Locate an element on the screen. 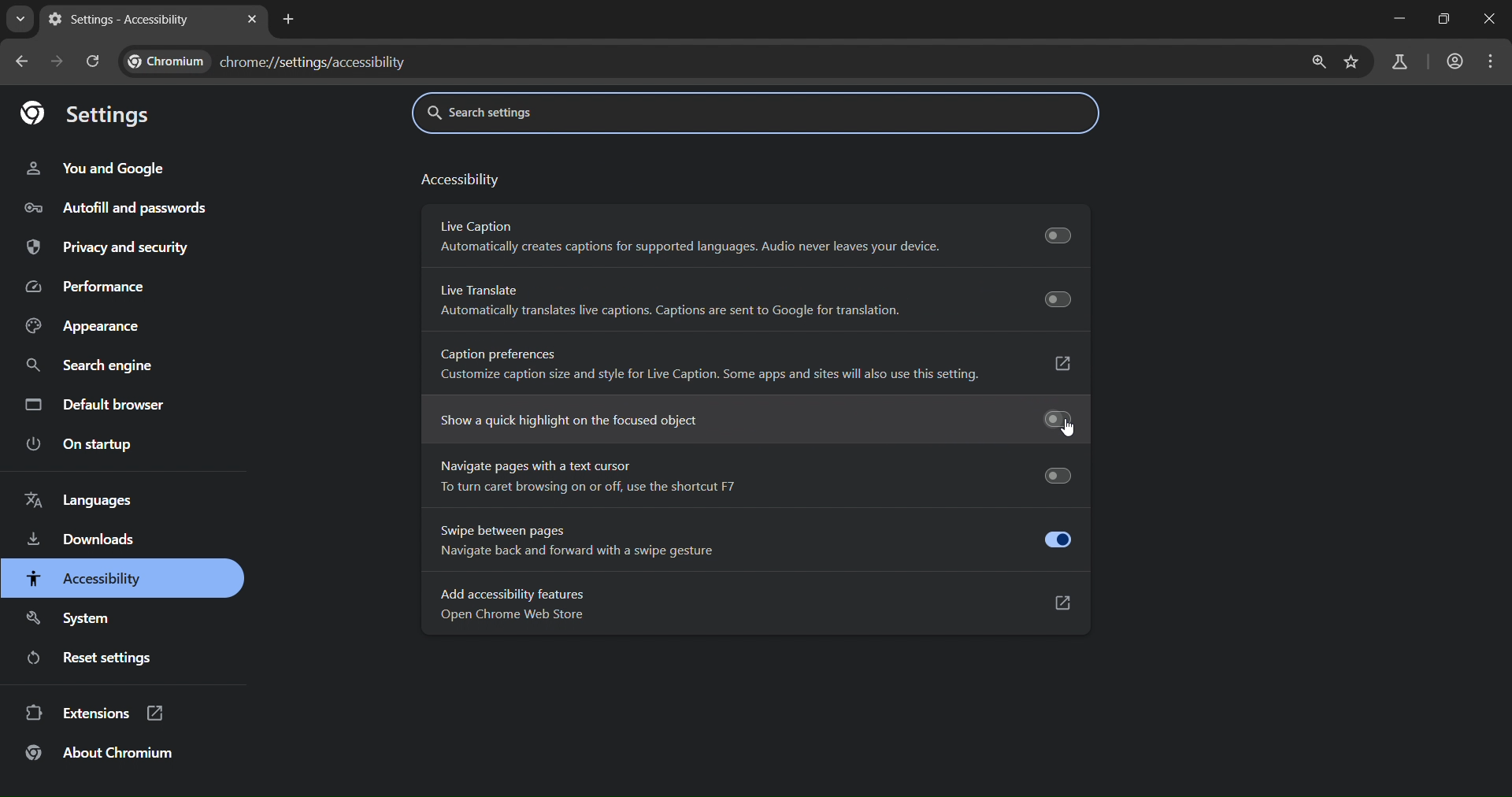 Image resolution: width=1512 pixels, height=797 pixels. search labs is located at coordinates (1398, 61).